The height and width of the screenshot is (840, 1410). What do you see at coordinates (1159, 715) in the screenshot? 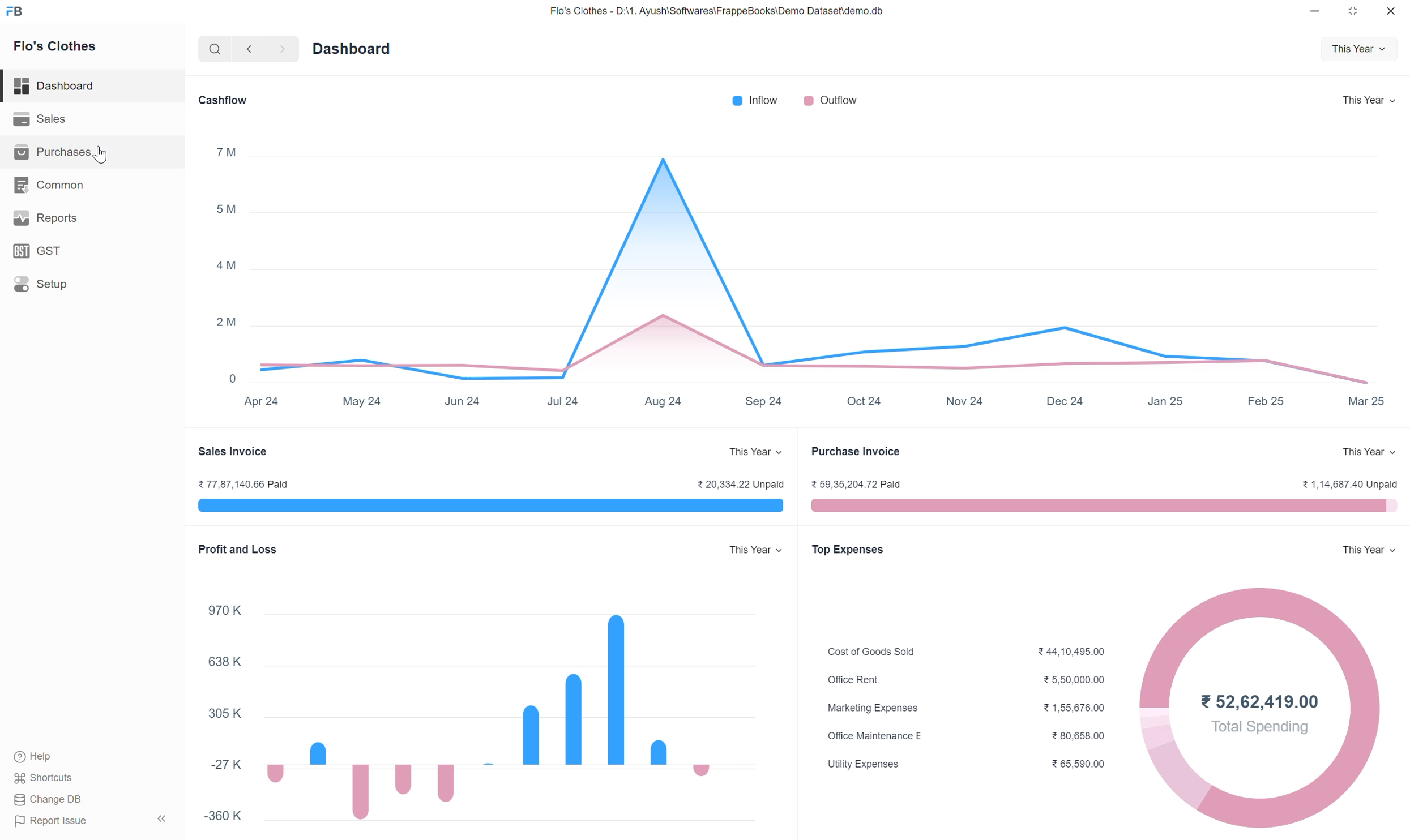
I see `donut chart` at bounding box center [1159, 715].